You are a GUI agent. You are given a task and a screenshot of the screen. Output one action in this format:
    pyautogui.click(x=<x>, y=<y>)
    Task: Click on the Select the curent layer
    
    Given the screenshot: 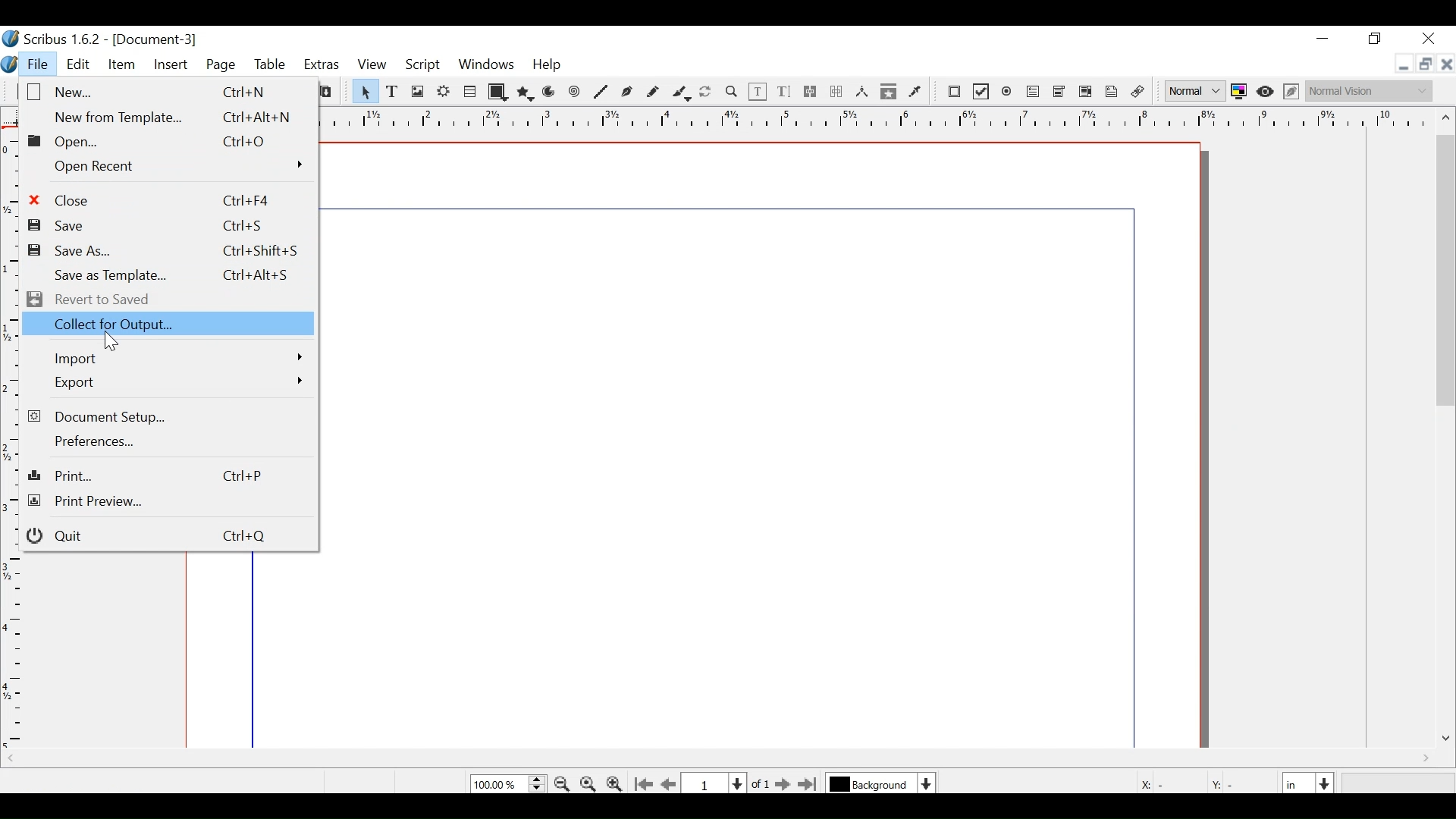 What is the action you would take?
    pyautogui.click(x=872, y=783)
    